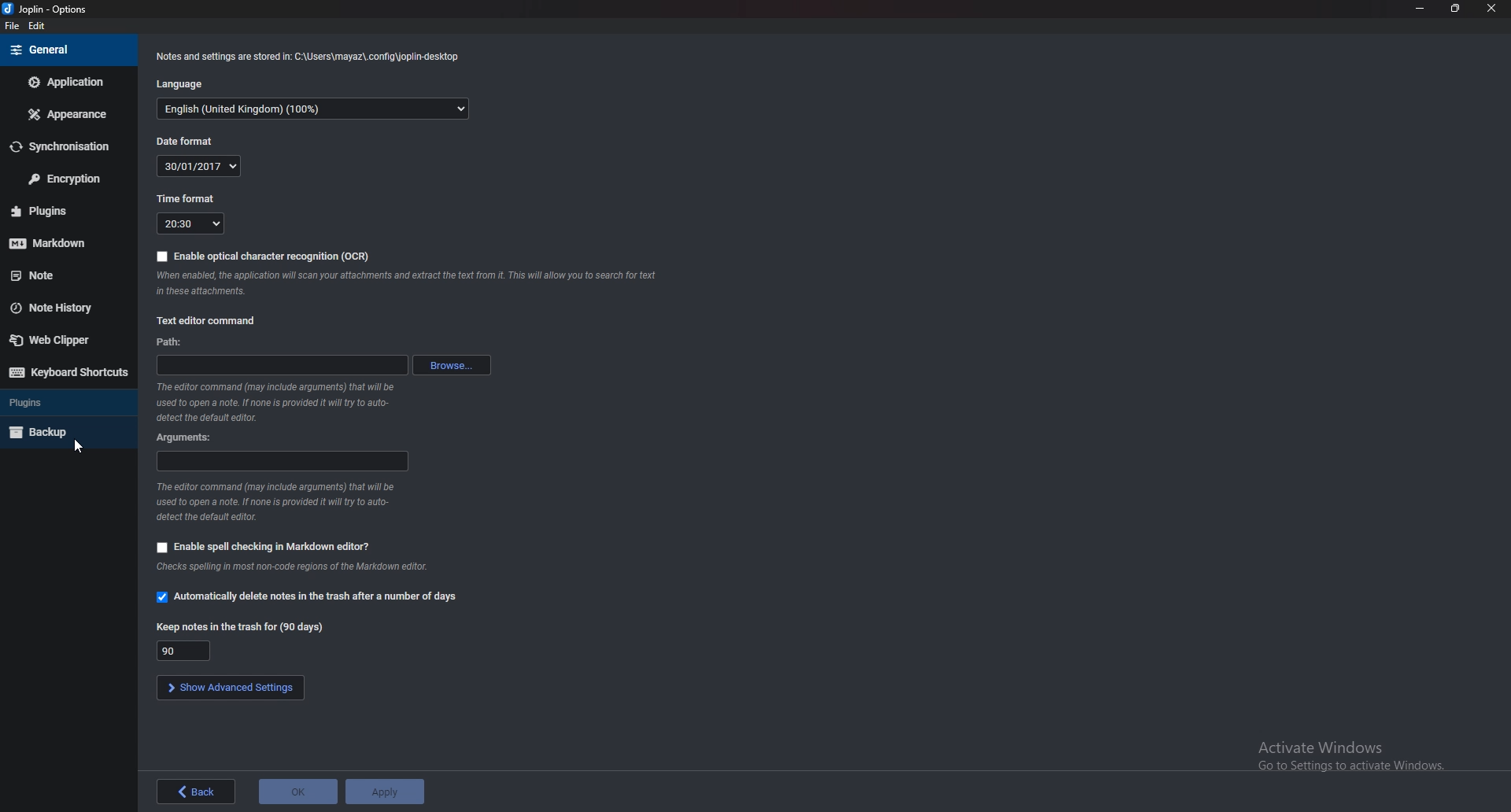 The image size is (1511, 812). I want to click on Encryption, so click(65, 178).